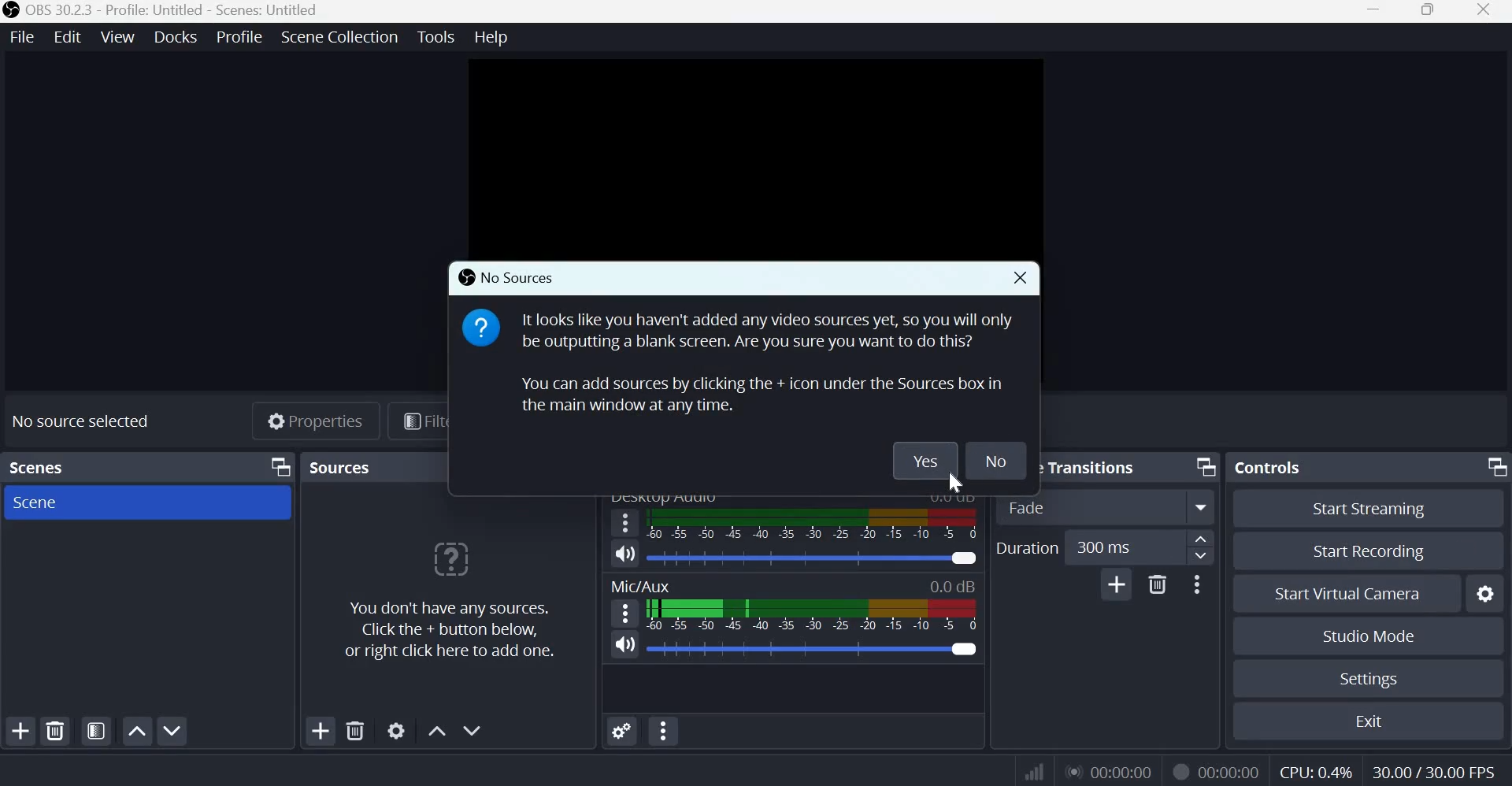 The width and height of the screenshot is (1512, 786). I want to click on Open scene filters, so click(97, 732).